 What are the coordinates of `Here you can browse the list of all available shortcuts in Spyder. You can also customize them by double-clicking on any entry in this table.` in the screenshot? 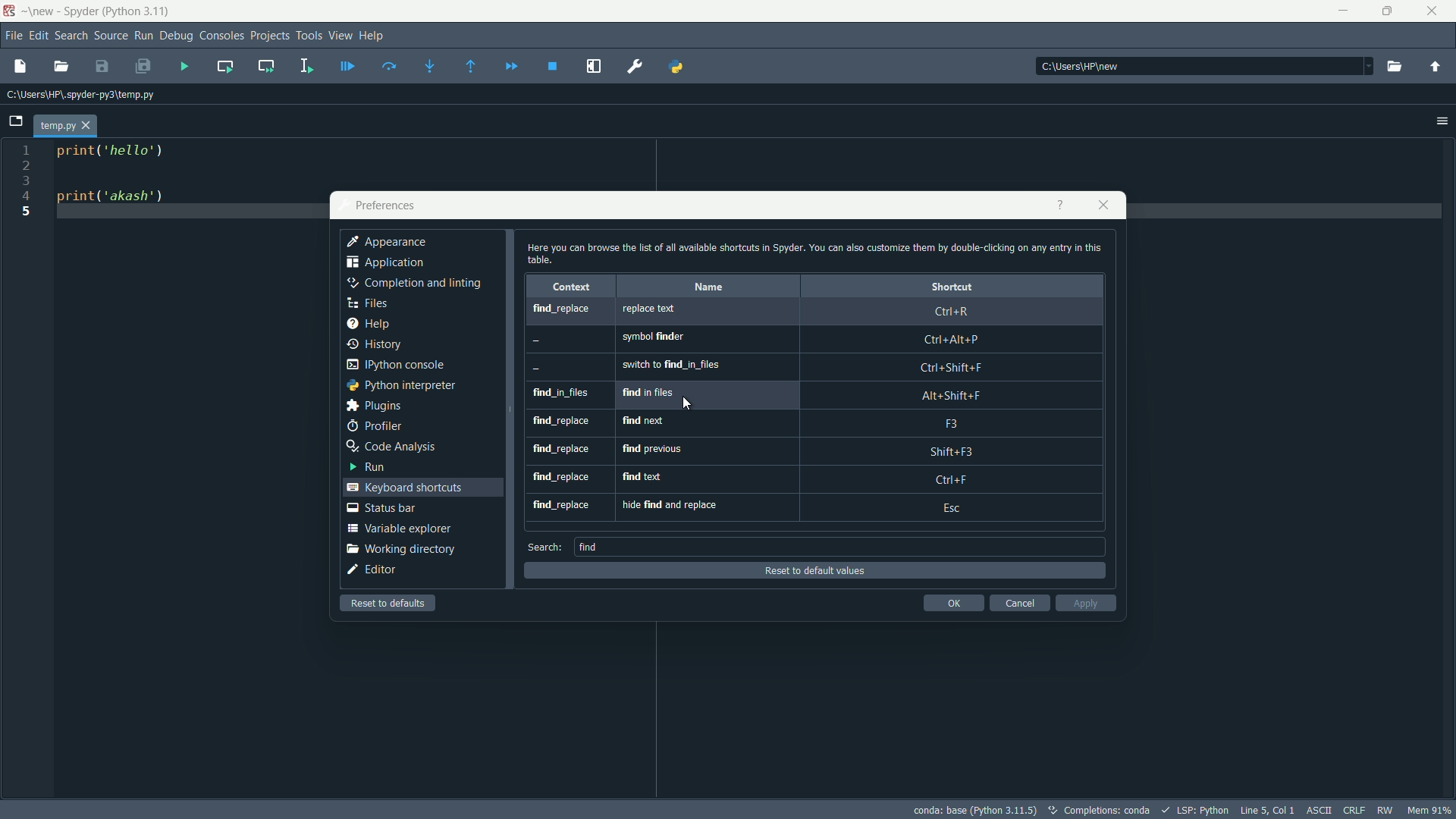 It's located at (817, 254).